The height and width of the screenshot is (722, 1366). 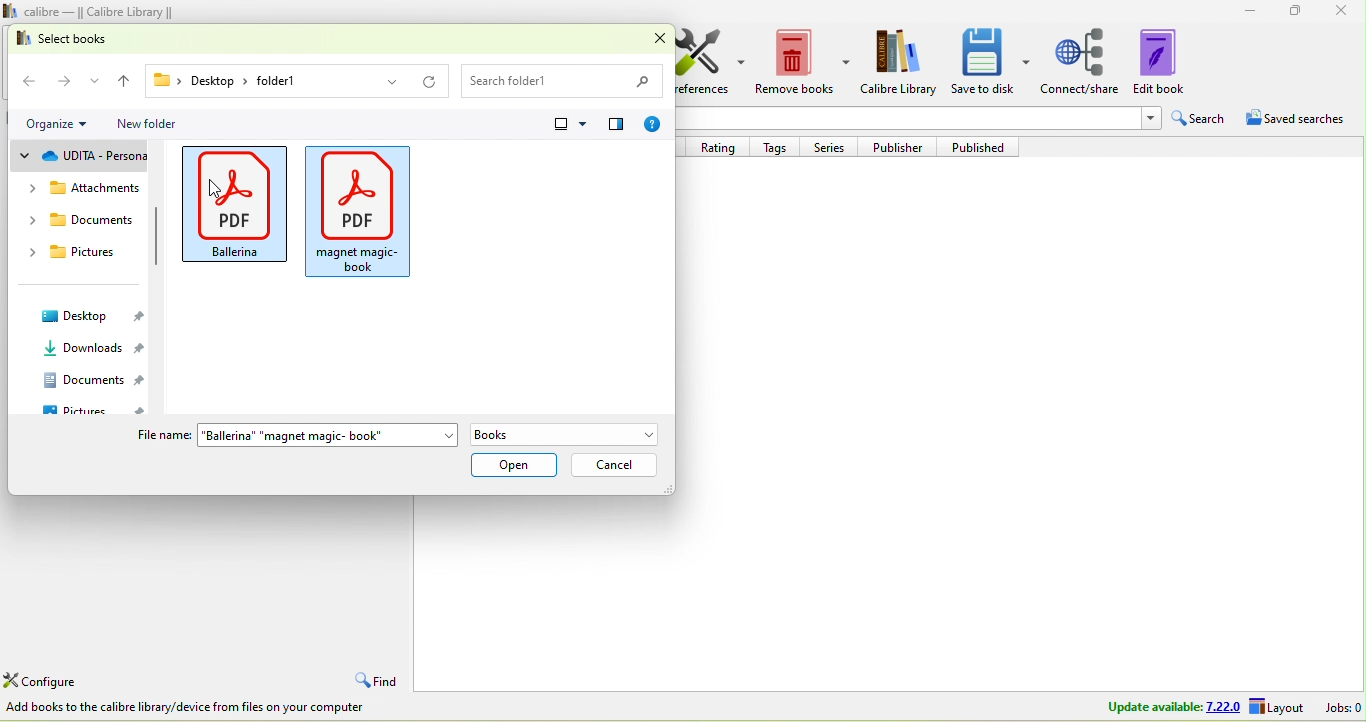 I want to click on add books to the calibre library /device from files on your computer, so click(x=192, y=707).